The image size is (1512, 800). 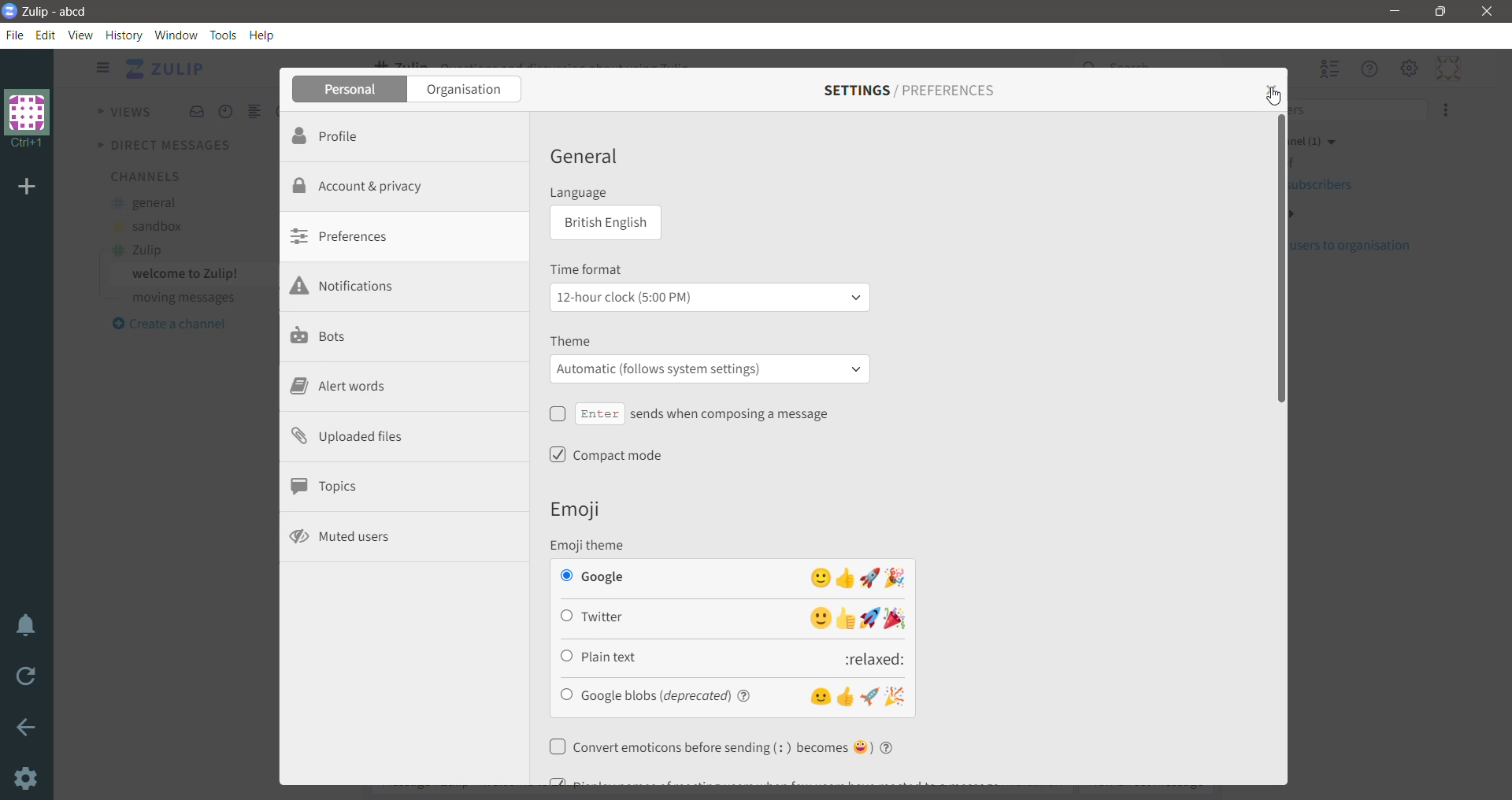 What do you see at coordinates (254, 112) in the screenshot?
I see `Combined feed` at bounding box center [254, 112].